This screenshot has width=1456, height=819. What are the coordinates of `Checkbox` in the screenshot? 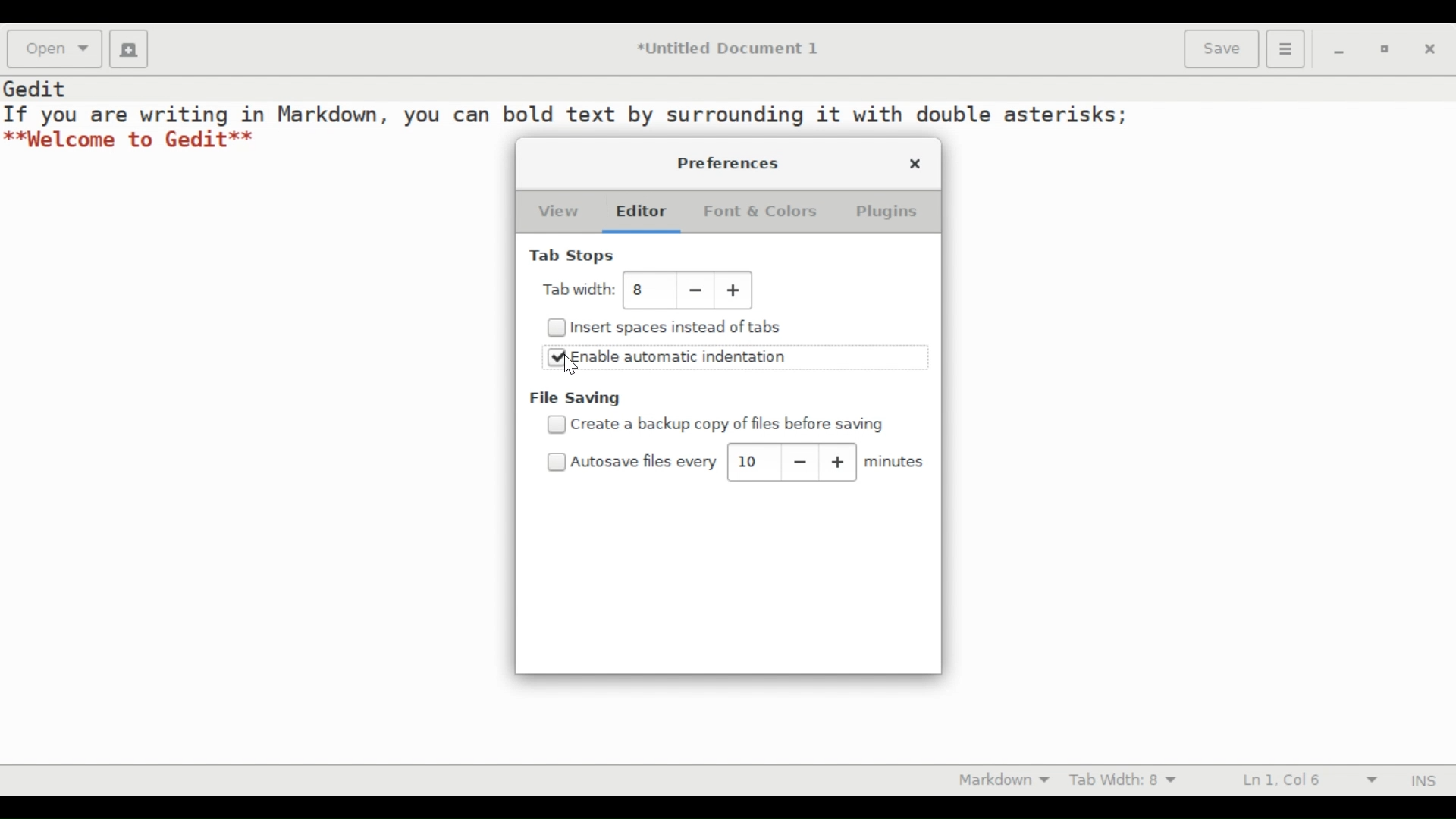 It's located at (557, 424).